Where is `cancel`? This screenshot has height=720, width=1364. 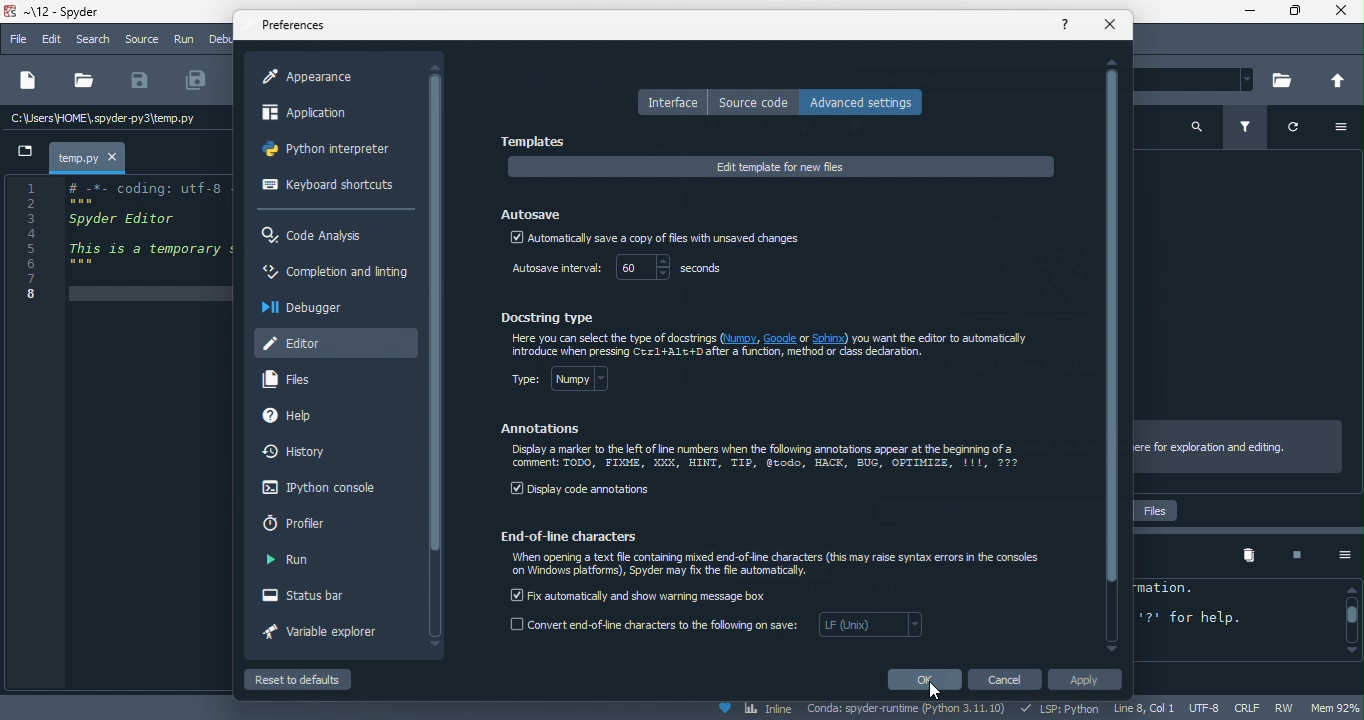 cancel is located at coordinates (1008, 680).